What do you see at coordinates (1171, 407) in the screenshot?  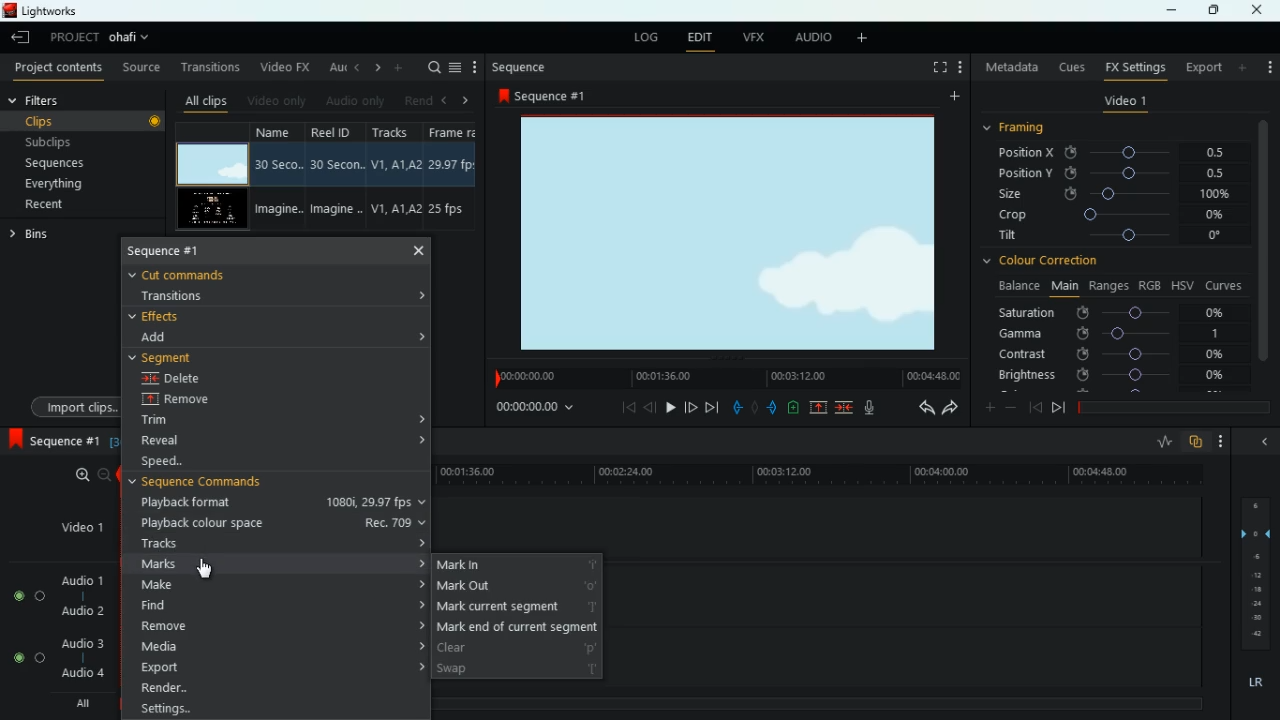 I see `timeline` at bounding box center [1171, 407].